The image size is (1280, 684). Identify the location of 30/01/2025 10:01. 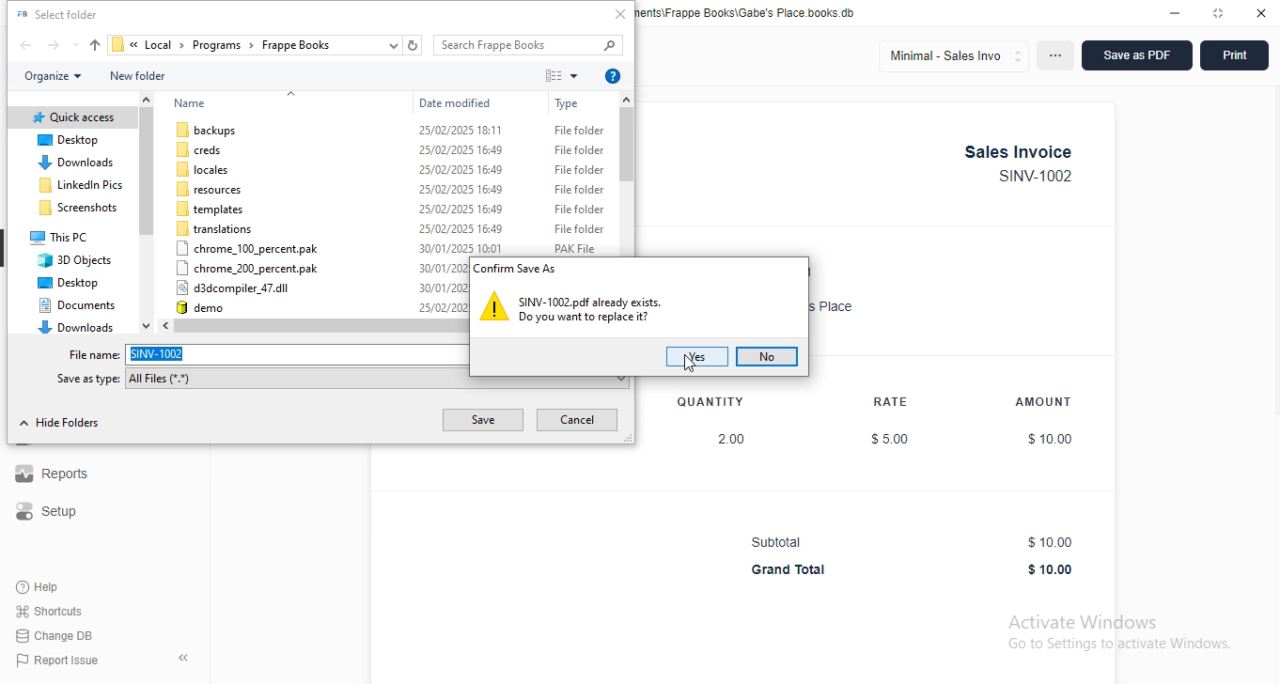
(442, 268).